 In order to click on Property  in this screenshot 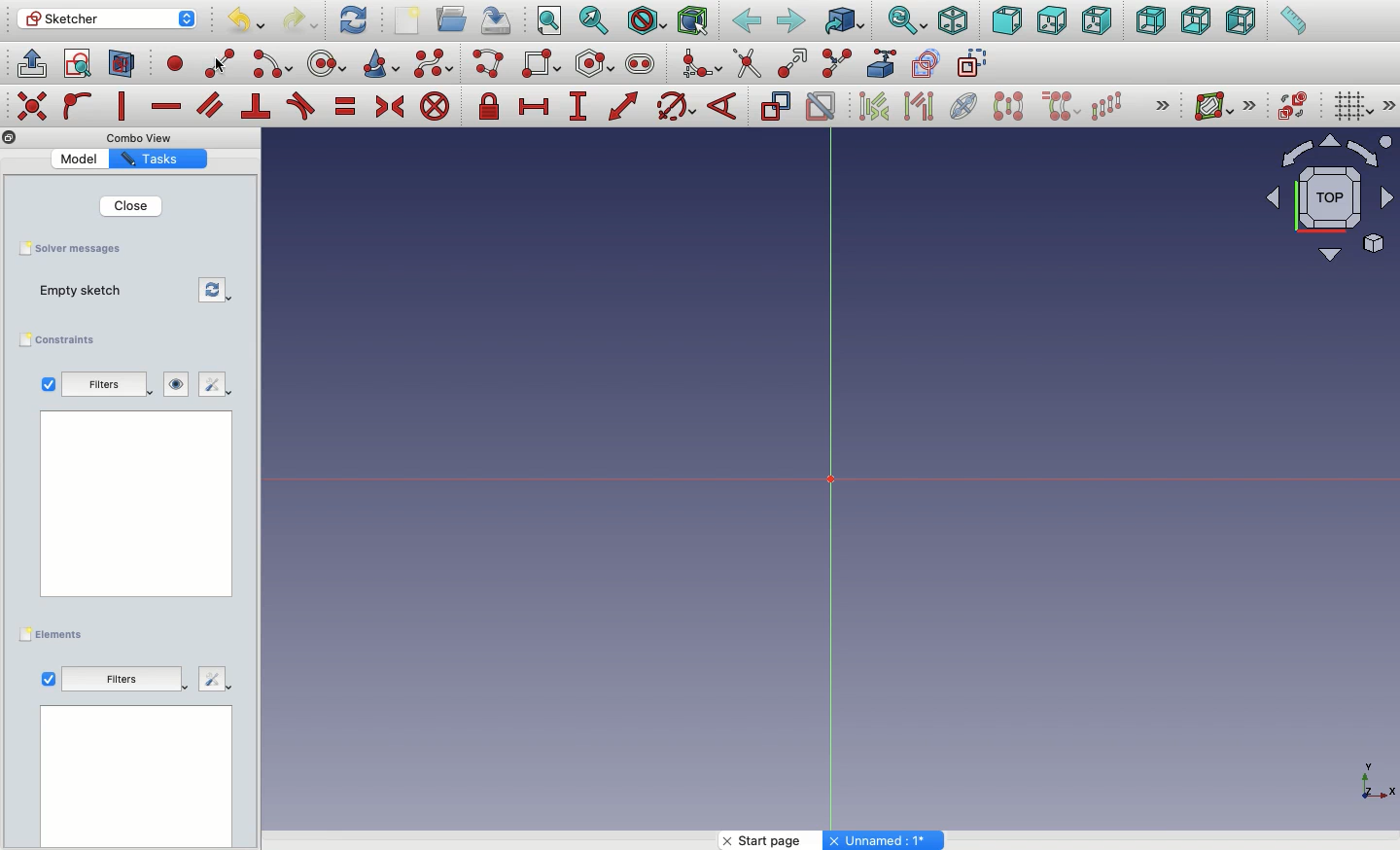, I will do `click(157, 160)`.